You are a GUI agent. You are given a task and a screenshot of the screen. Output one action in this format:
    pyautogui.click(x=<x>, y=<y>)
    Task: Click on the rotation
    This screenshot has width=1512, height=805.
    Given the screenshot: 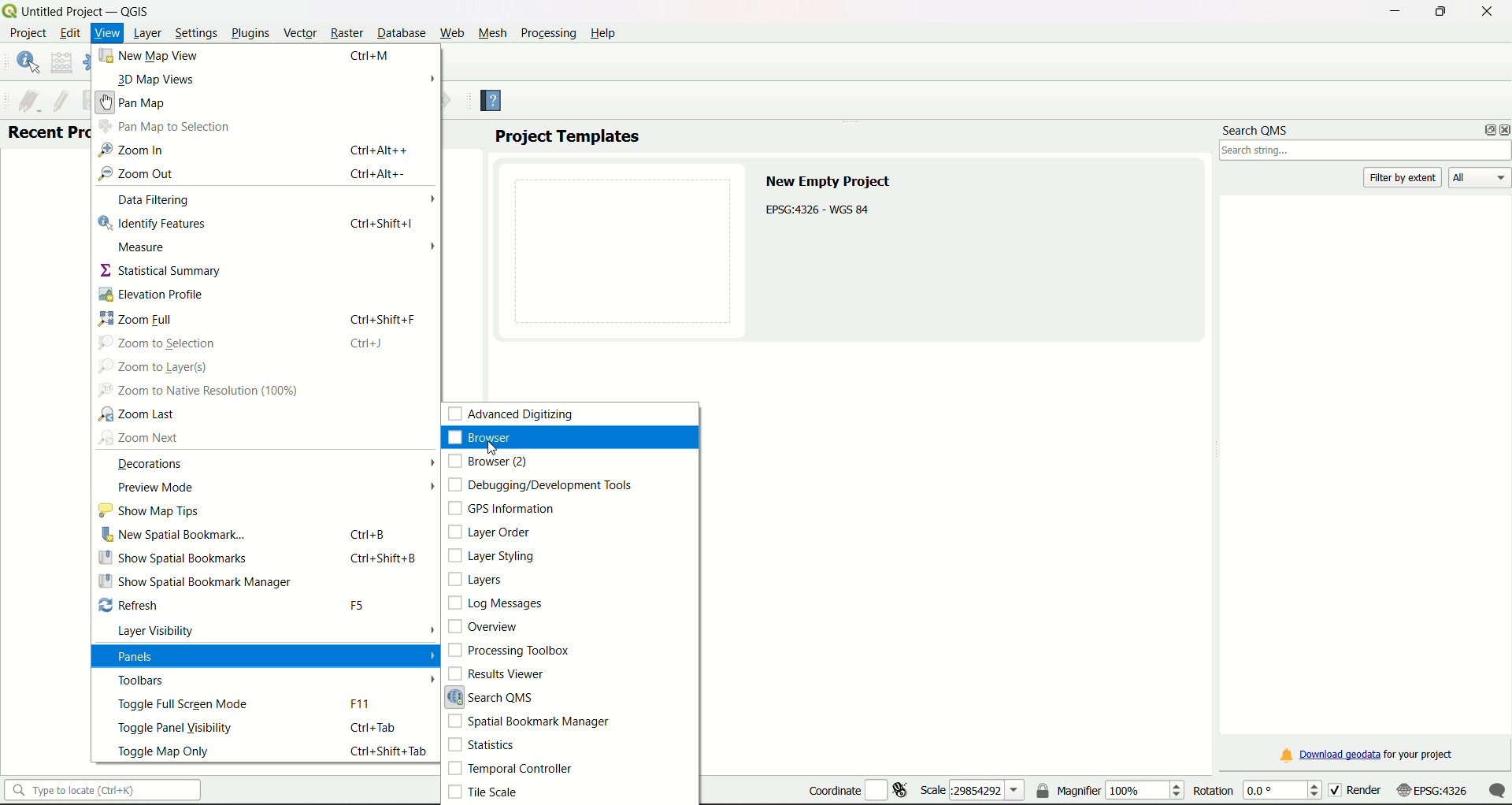 What is the action you would take?
    pyautogui.click(x=1259, y=790)
    